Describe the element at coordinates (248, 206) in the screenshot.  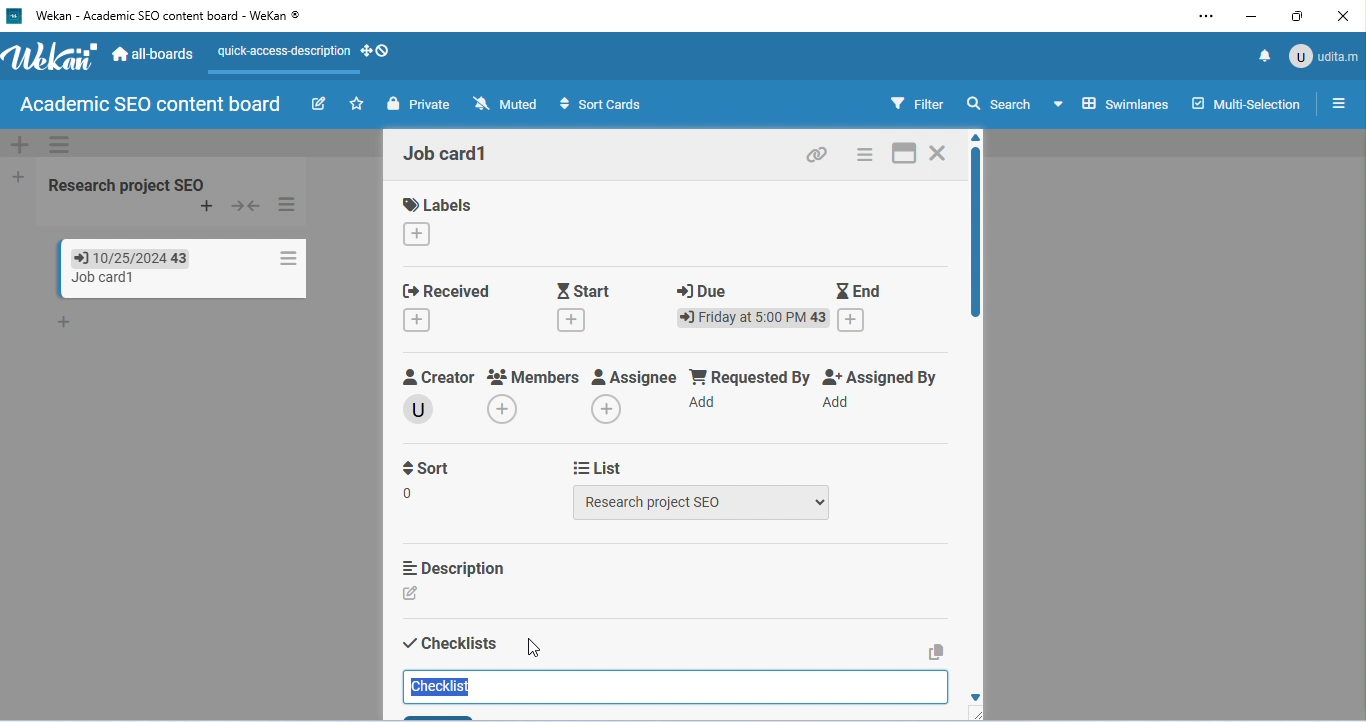
I see `collapse` at that location.